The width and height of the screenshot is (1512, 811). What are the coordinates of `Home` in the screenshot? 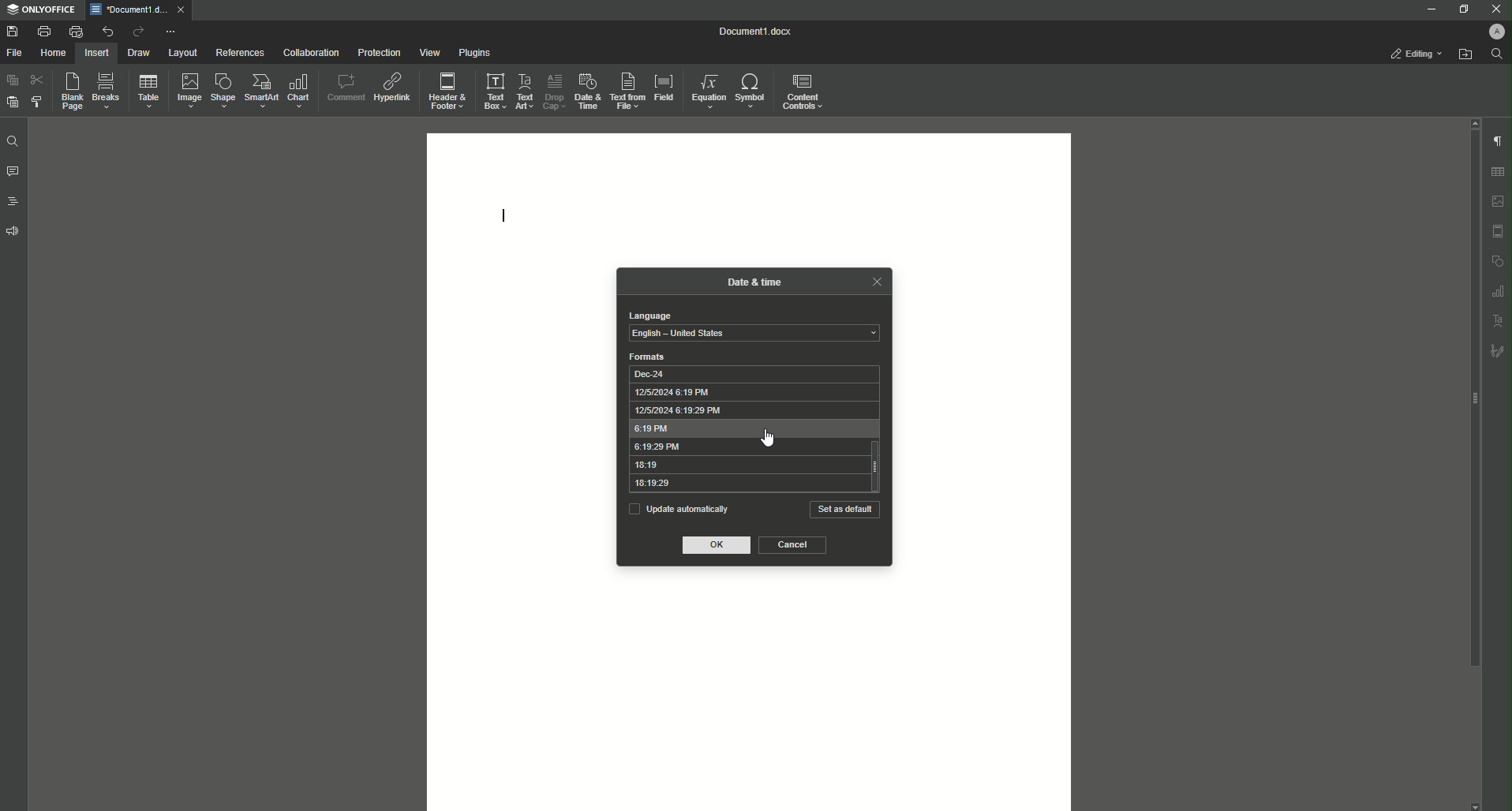 It's located at (54, 53).